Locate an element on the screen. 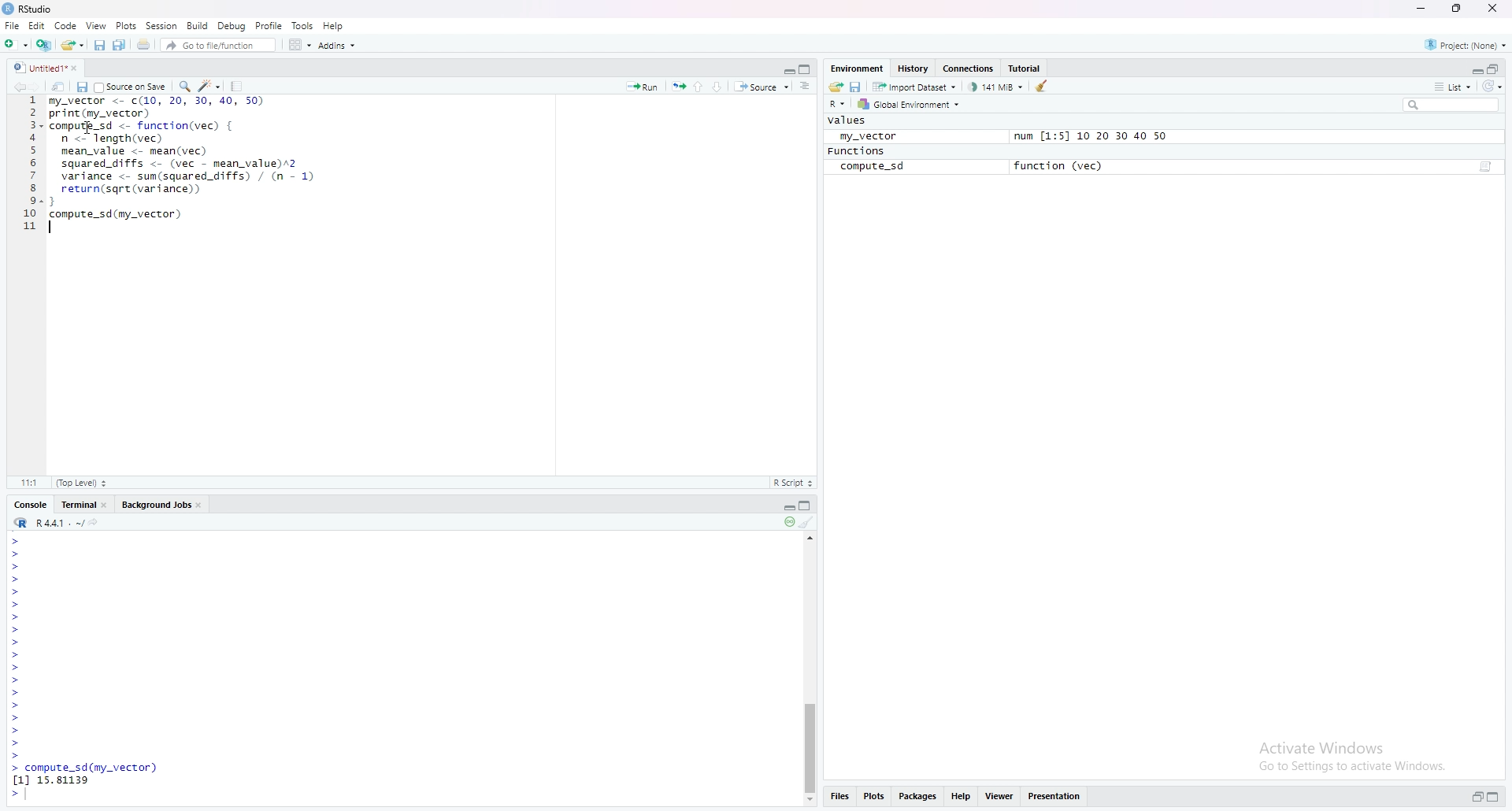 The height and width of the screenshot is (811, 1512). View the current working directory is located at coordinates (98, 521).